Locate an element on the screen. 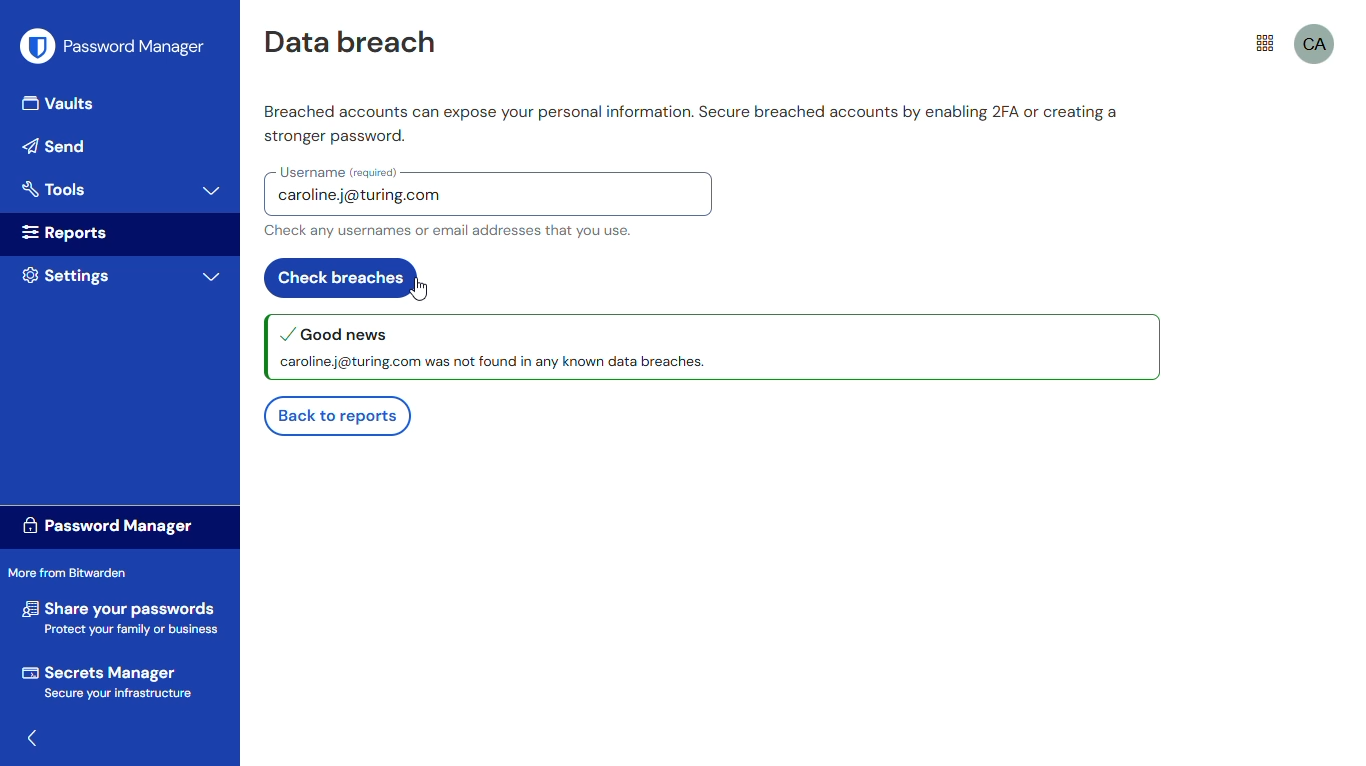 This screenshot has height=766, width=1366. ca is located at coordinates (1315, 43).